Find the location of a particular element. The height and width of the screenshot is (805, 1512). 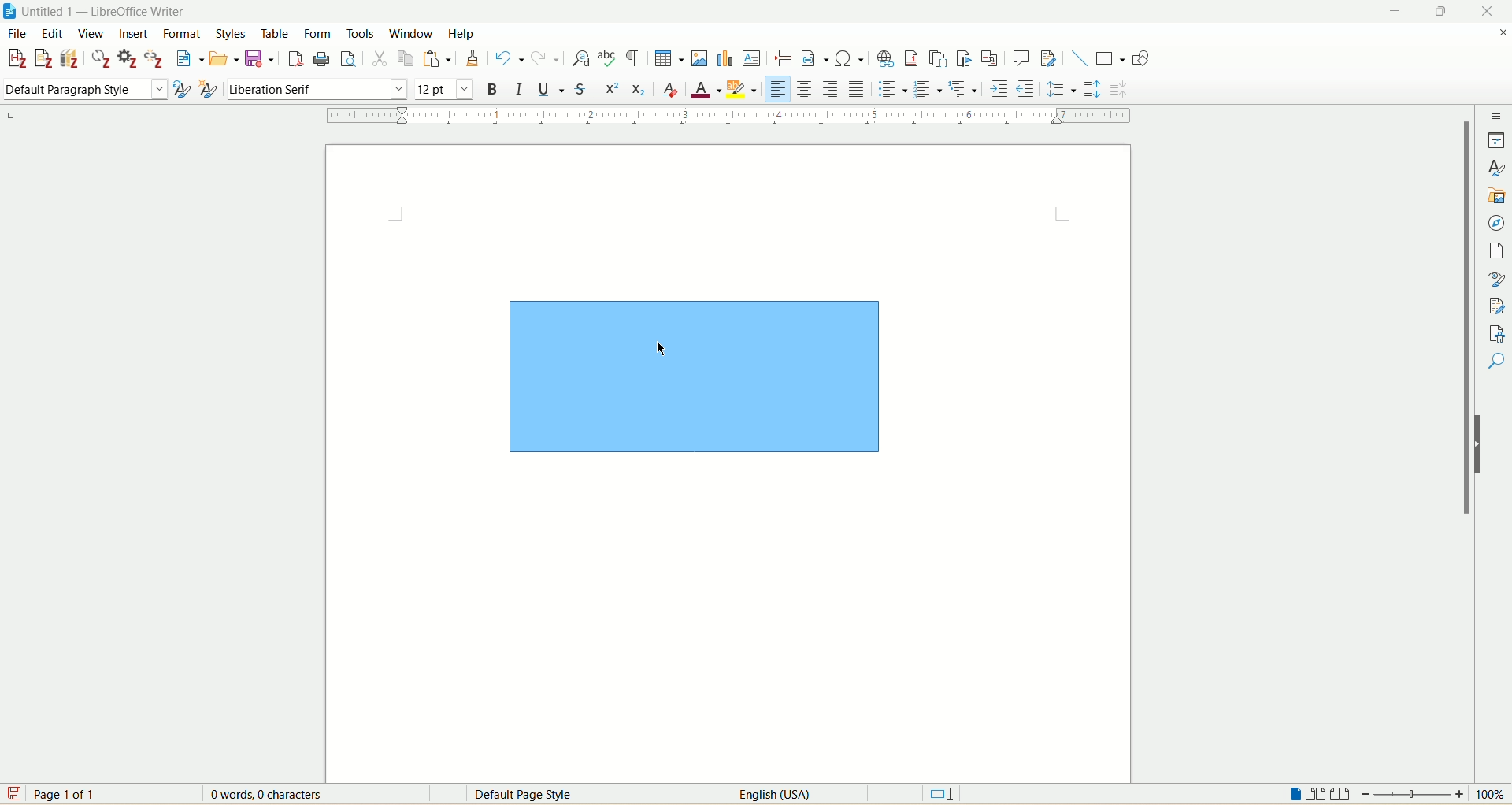

print preview is located at coordinates (347, 61).